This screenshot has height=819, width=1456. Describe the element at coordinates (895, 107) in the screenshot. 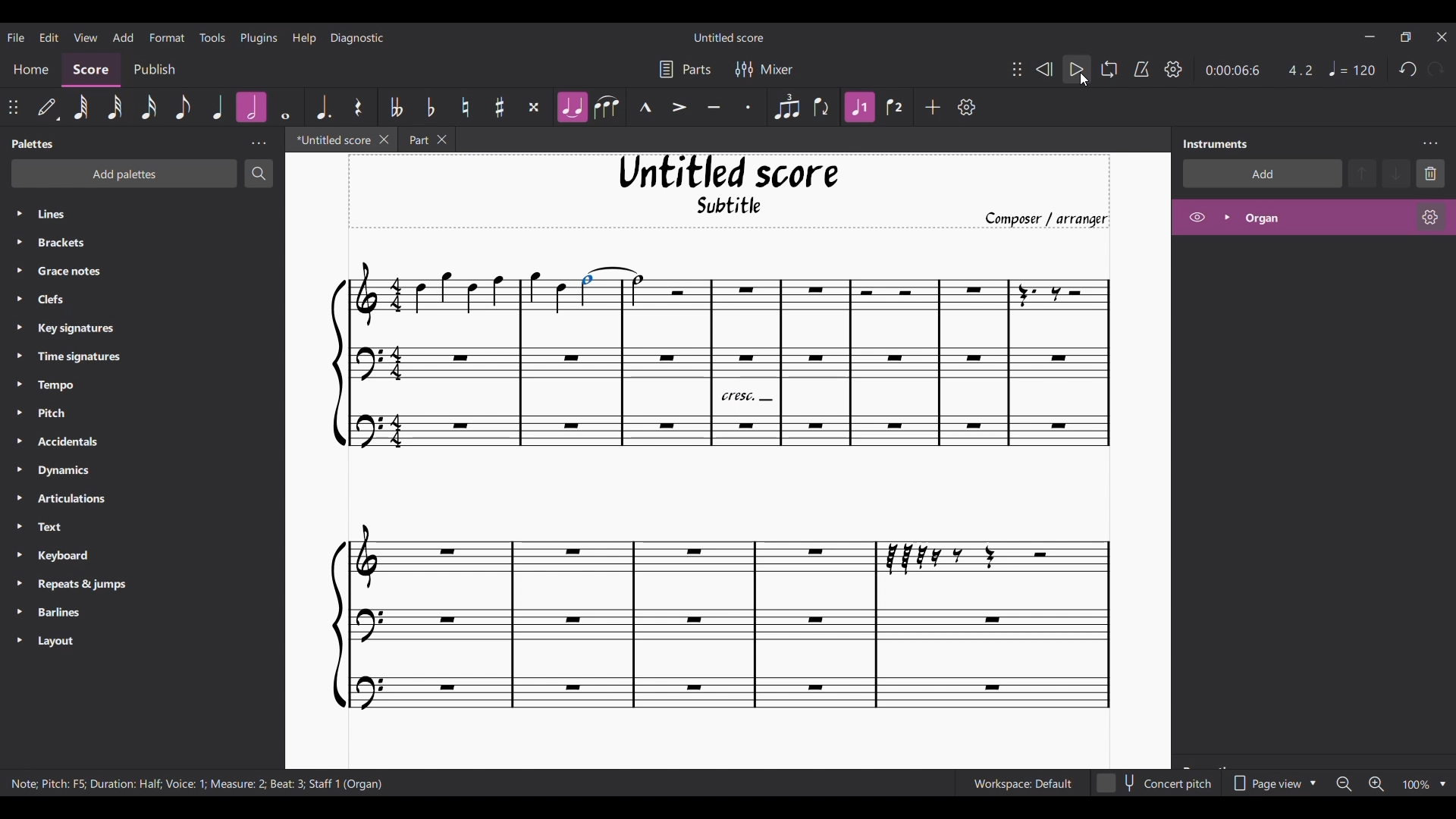

I see `Voice 2` at that location.